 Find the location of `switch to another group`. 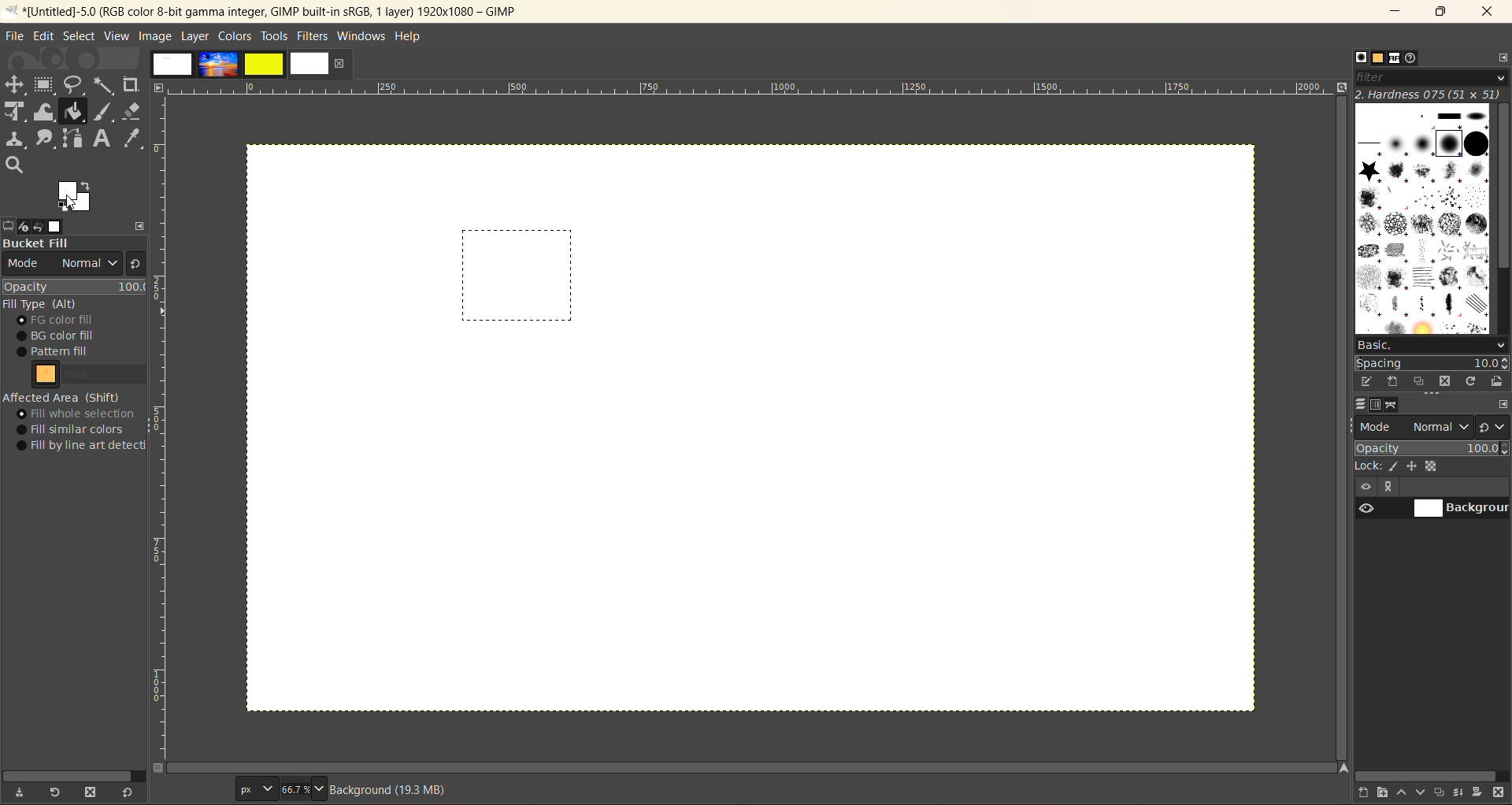

switch to another group is located at coordinates (133, 266).